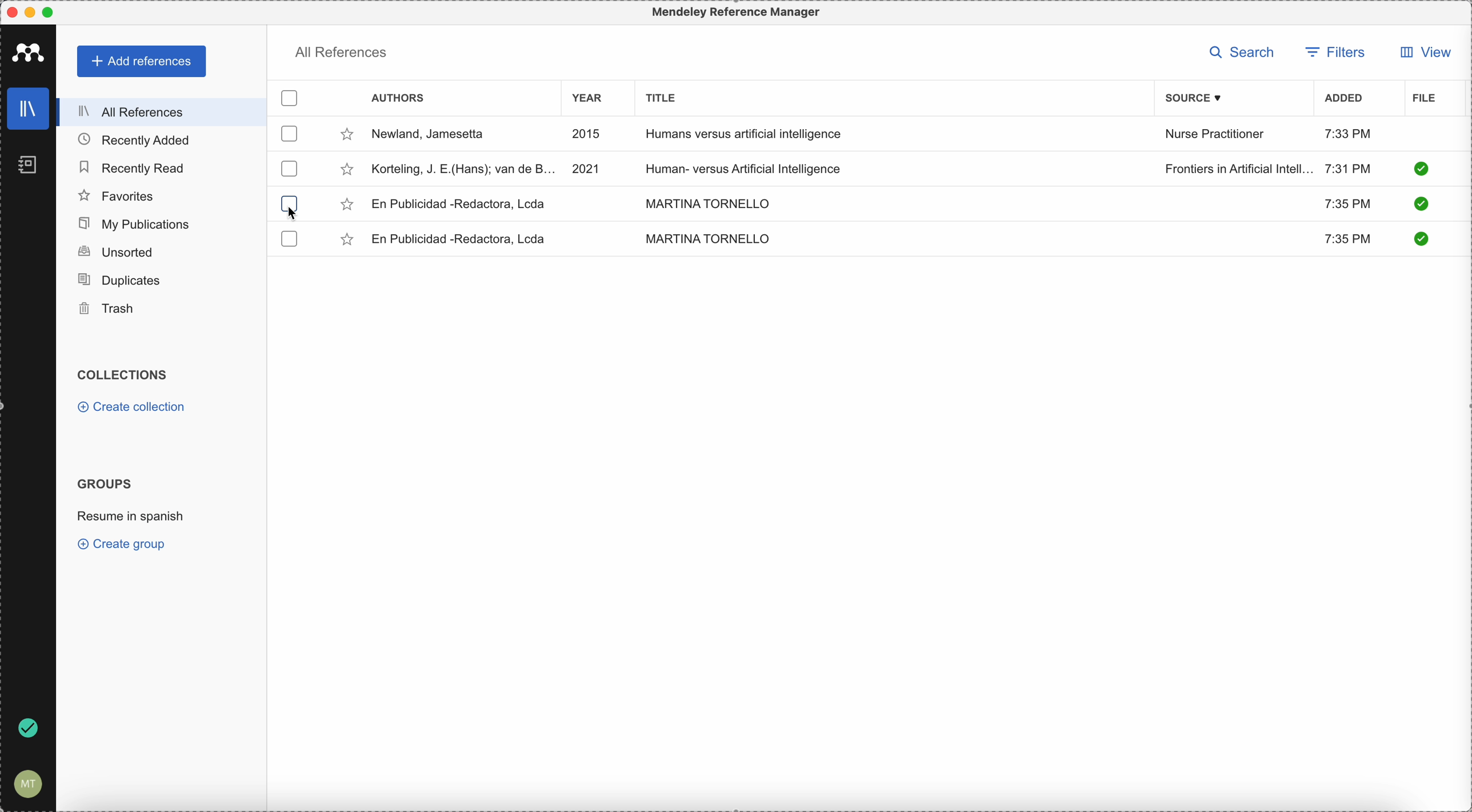 This screenshot has height=812, width=1472. Describe the element at coordinates (398, 99) in the screenshot. I see `authors` at that location.